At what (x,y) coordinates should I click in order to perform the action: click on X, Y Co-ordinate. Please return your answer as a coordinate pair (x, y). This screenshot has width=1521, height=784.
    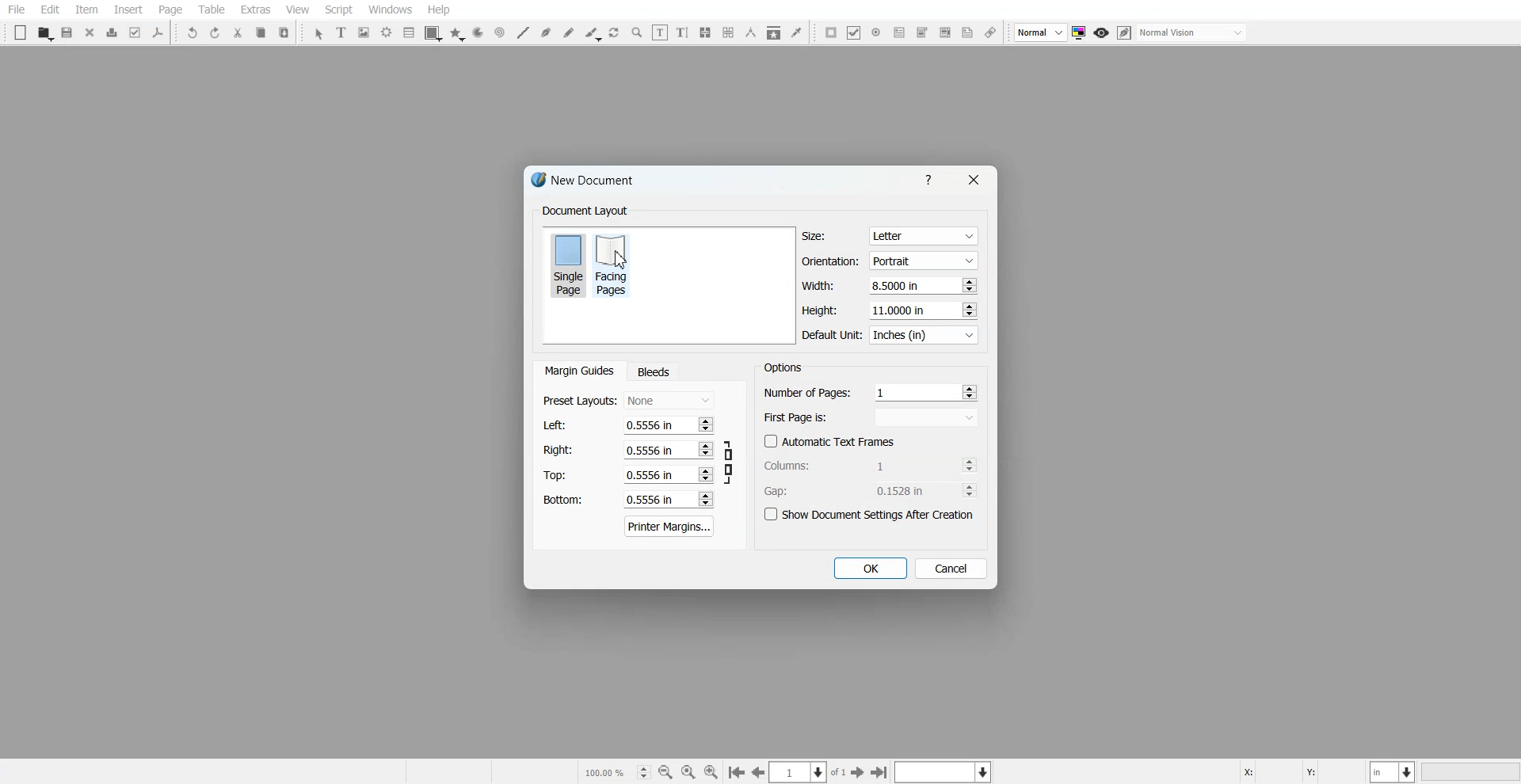
    Looking at the image, I should click on (1302, 771).